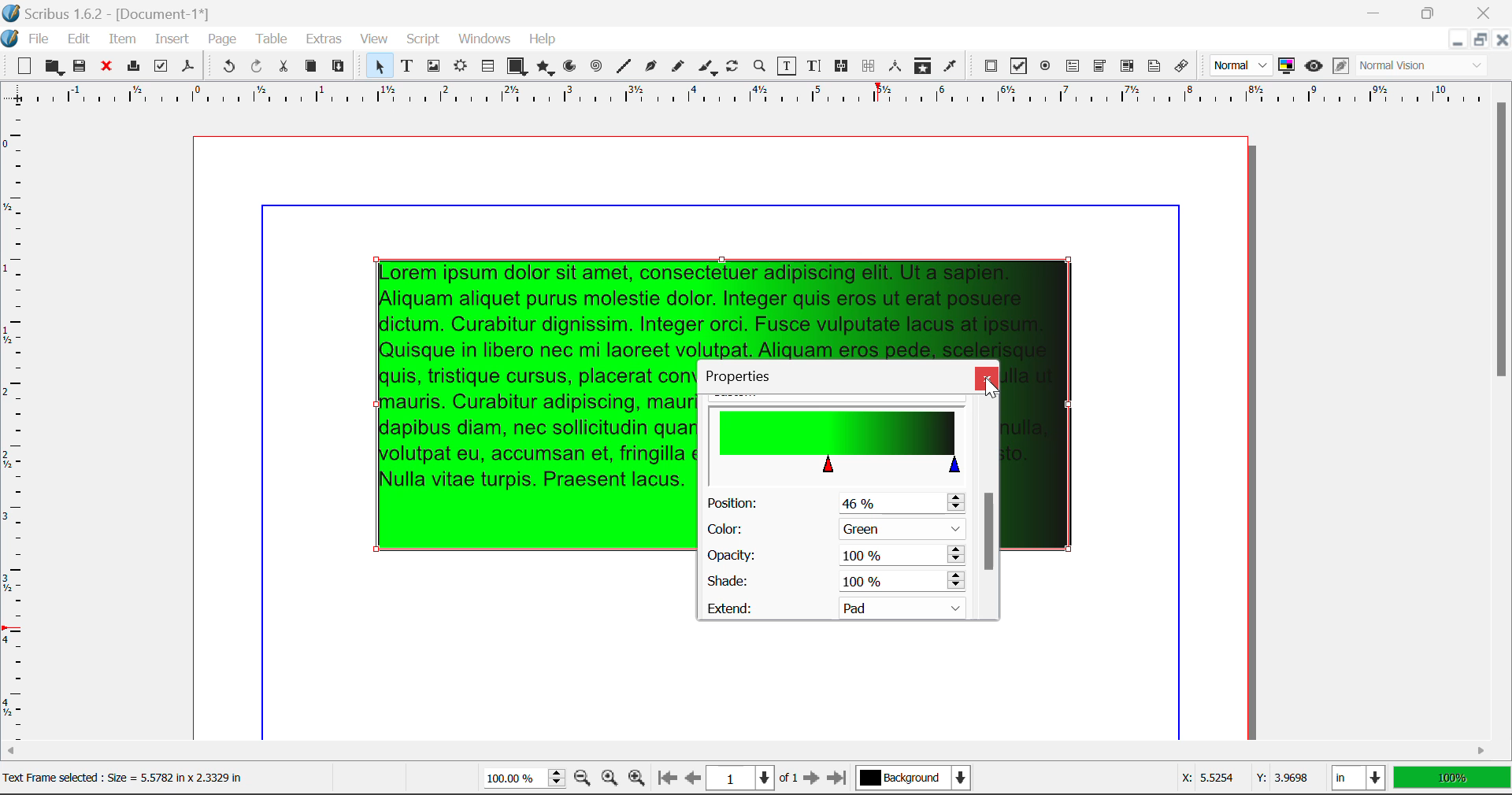  What do you see at coordinates (610, 780) in the screenshot?
I see `Zoom to 100%` at bounding box center [610, 780].